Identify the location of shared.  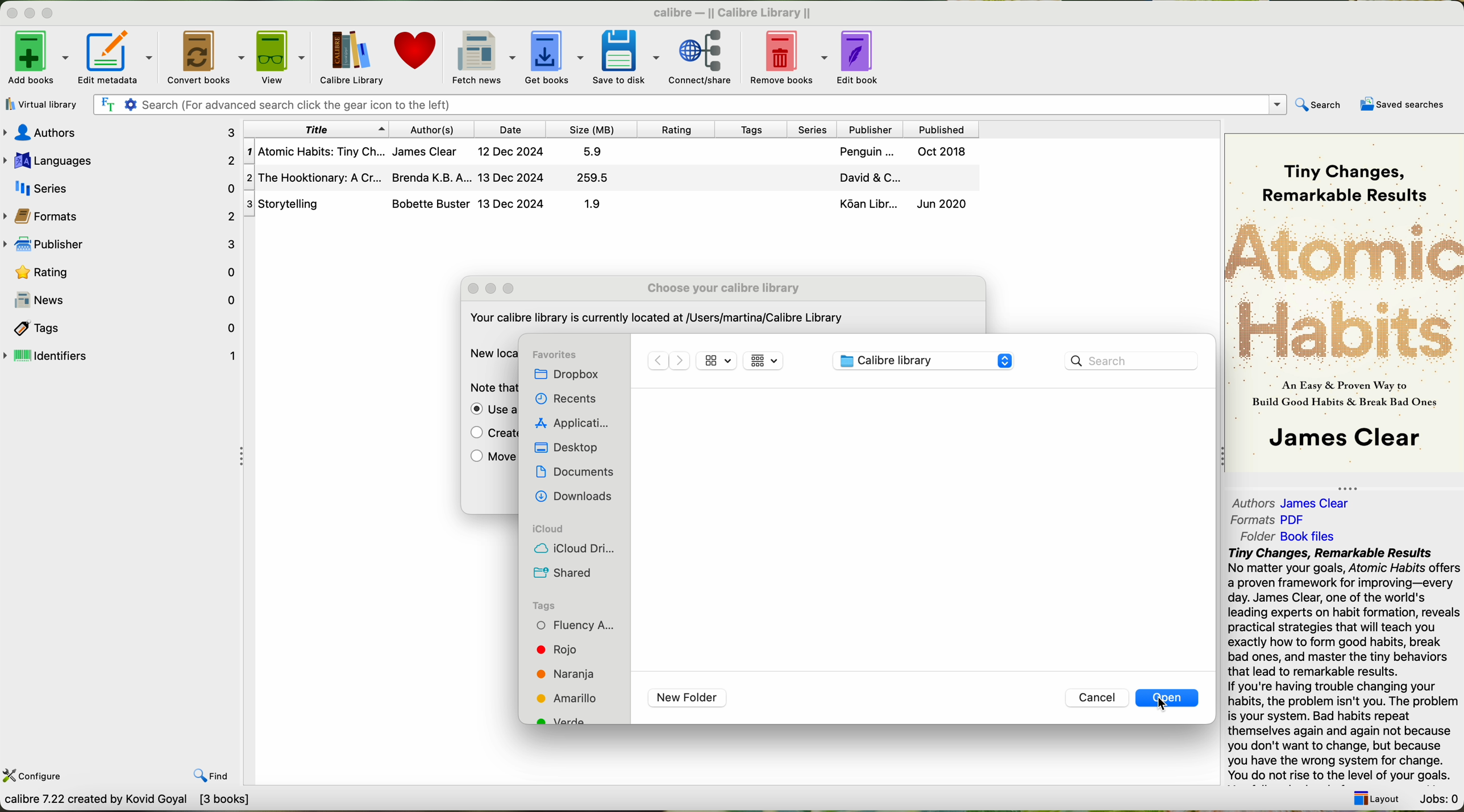
(577, 572).